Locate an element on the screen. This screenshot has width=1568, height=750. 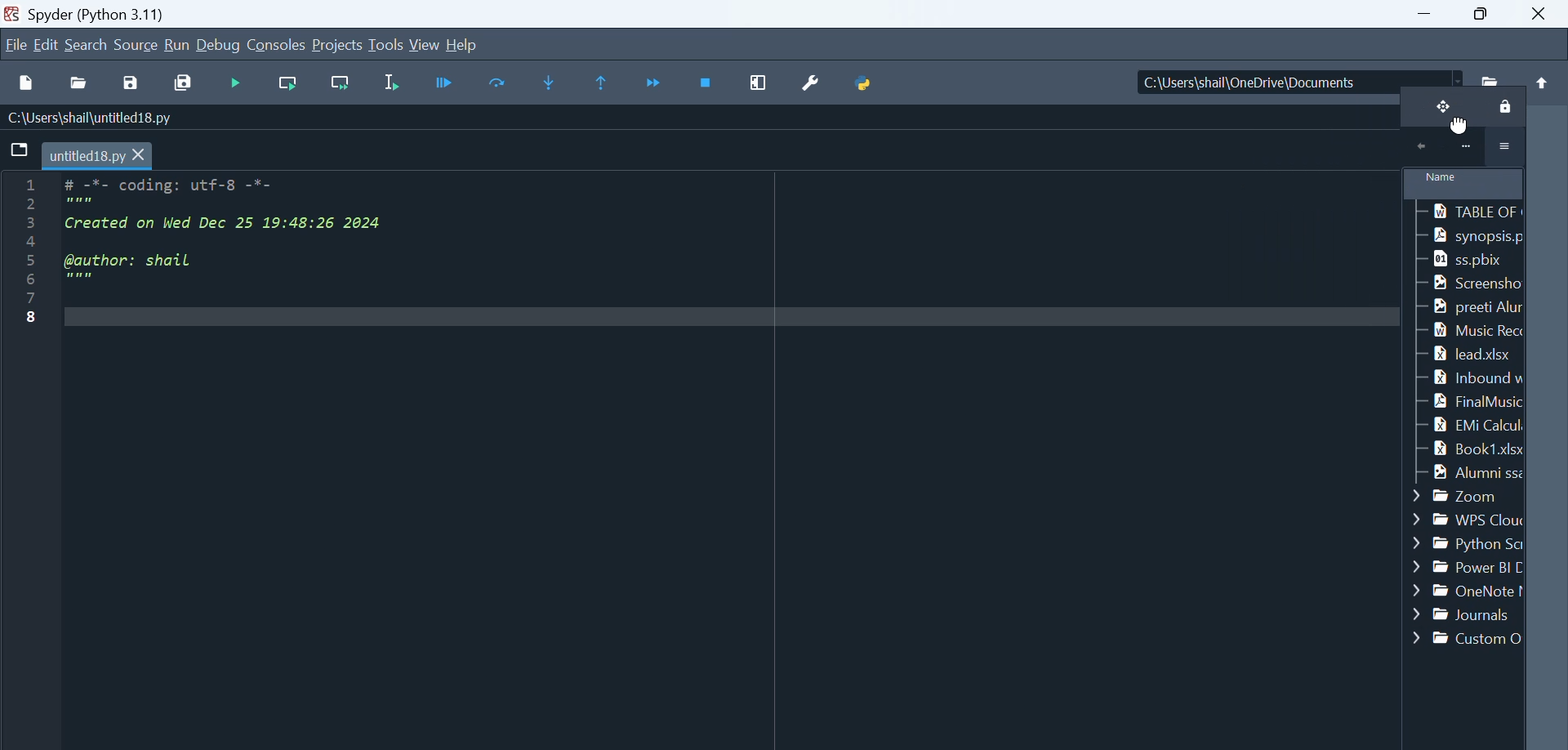
Run file is located at coordinates (238, 83).